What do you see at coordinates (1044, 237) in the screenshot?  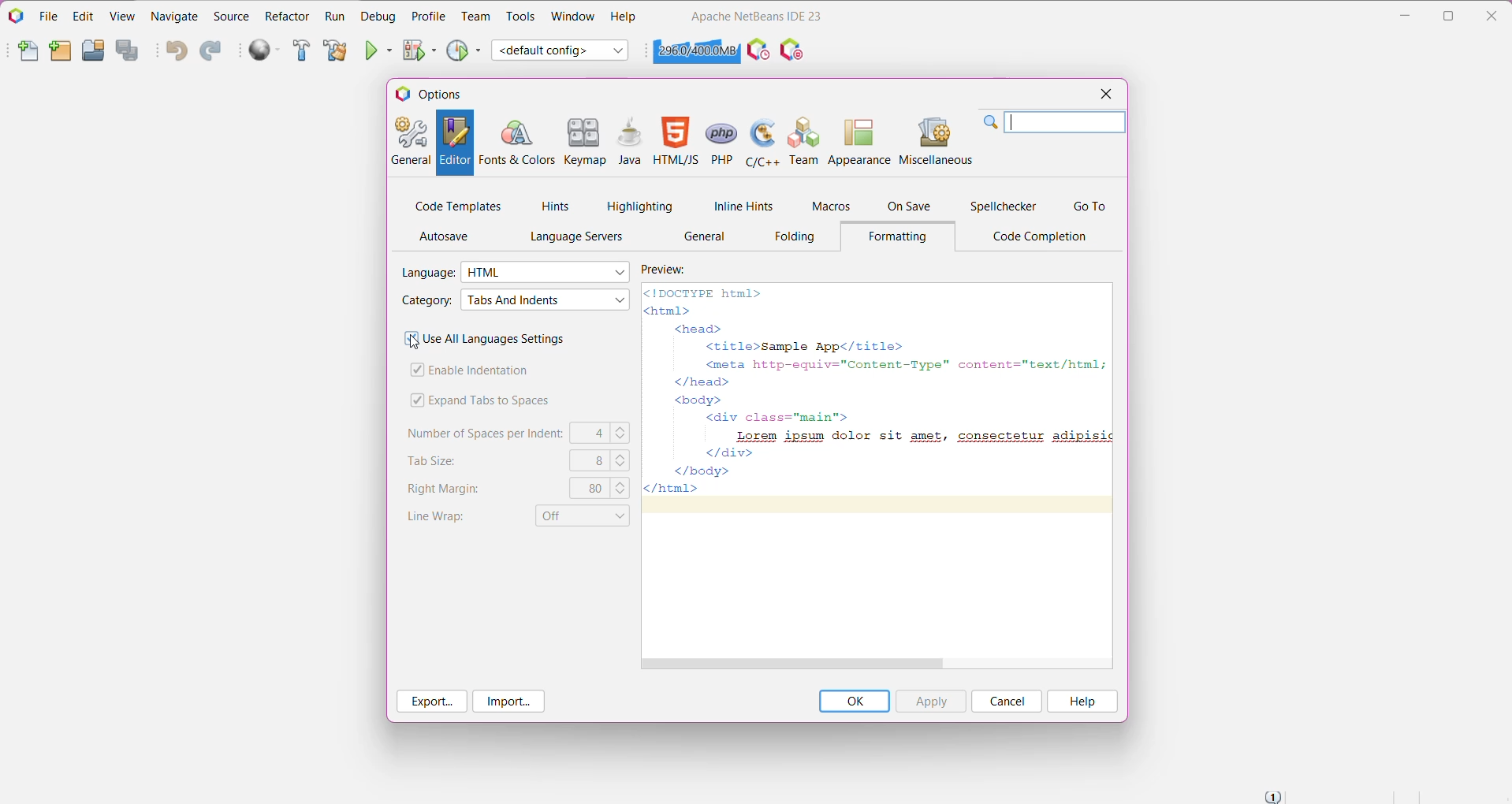 I see `Code Completion` at bounding box center [1044, 237].